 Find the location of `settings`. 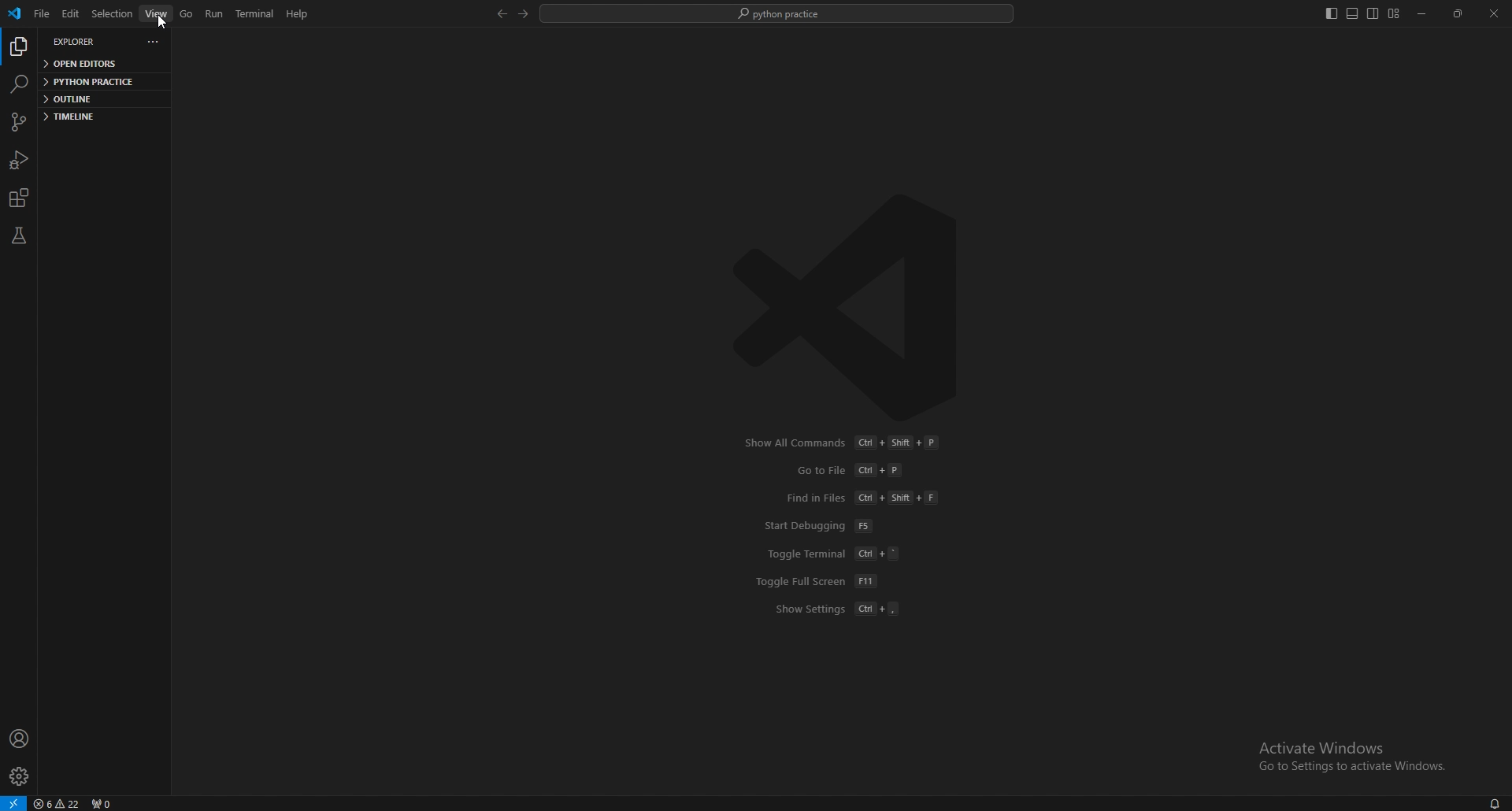

settings is located at coordinates (20, 776).